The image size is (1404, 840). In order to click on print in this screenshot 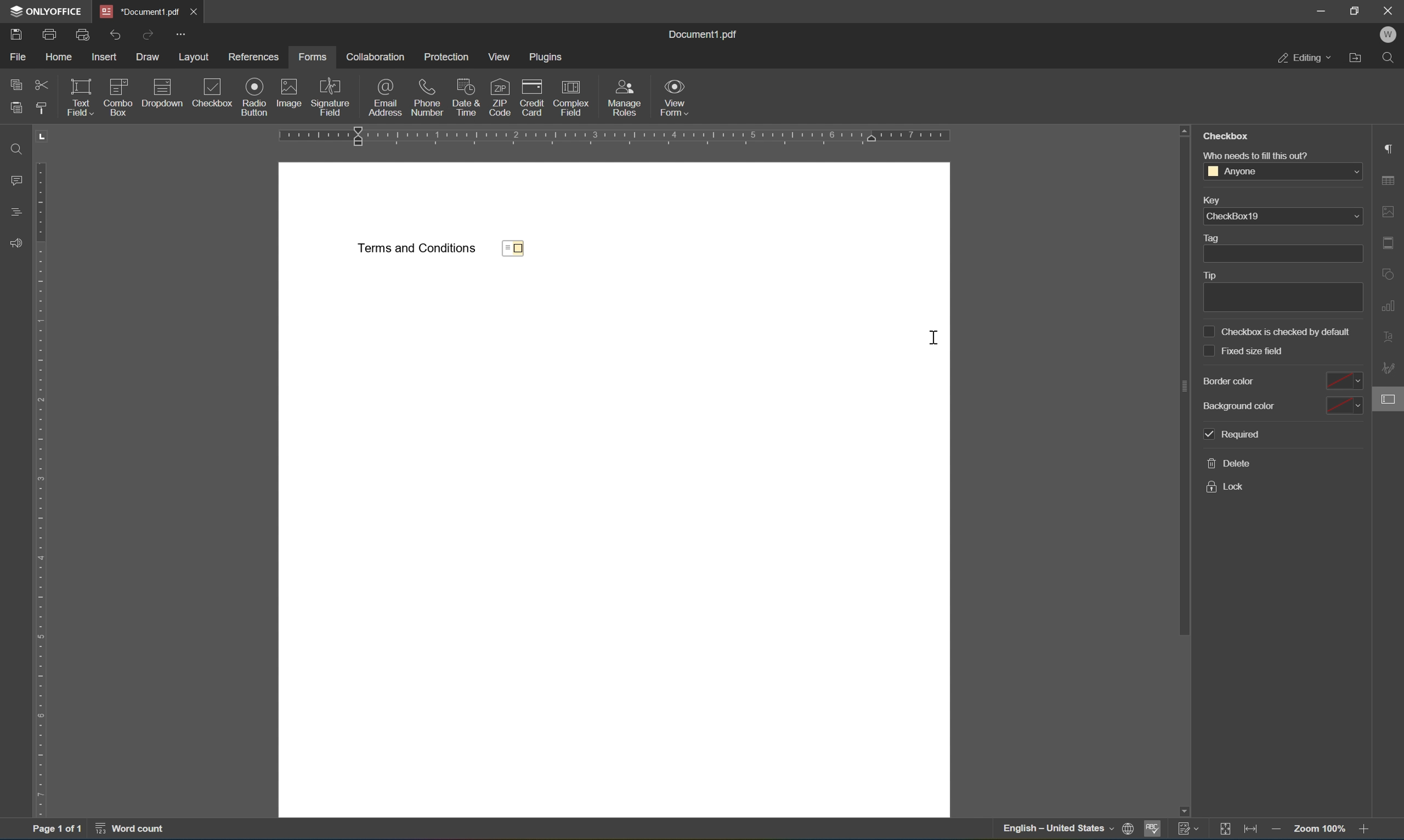, I will do `click(51, 35)`.